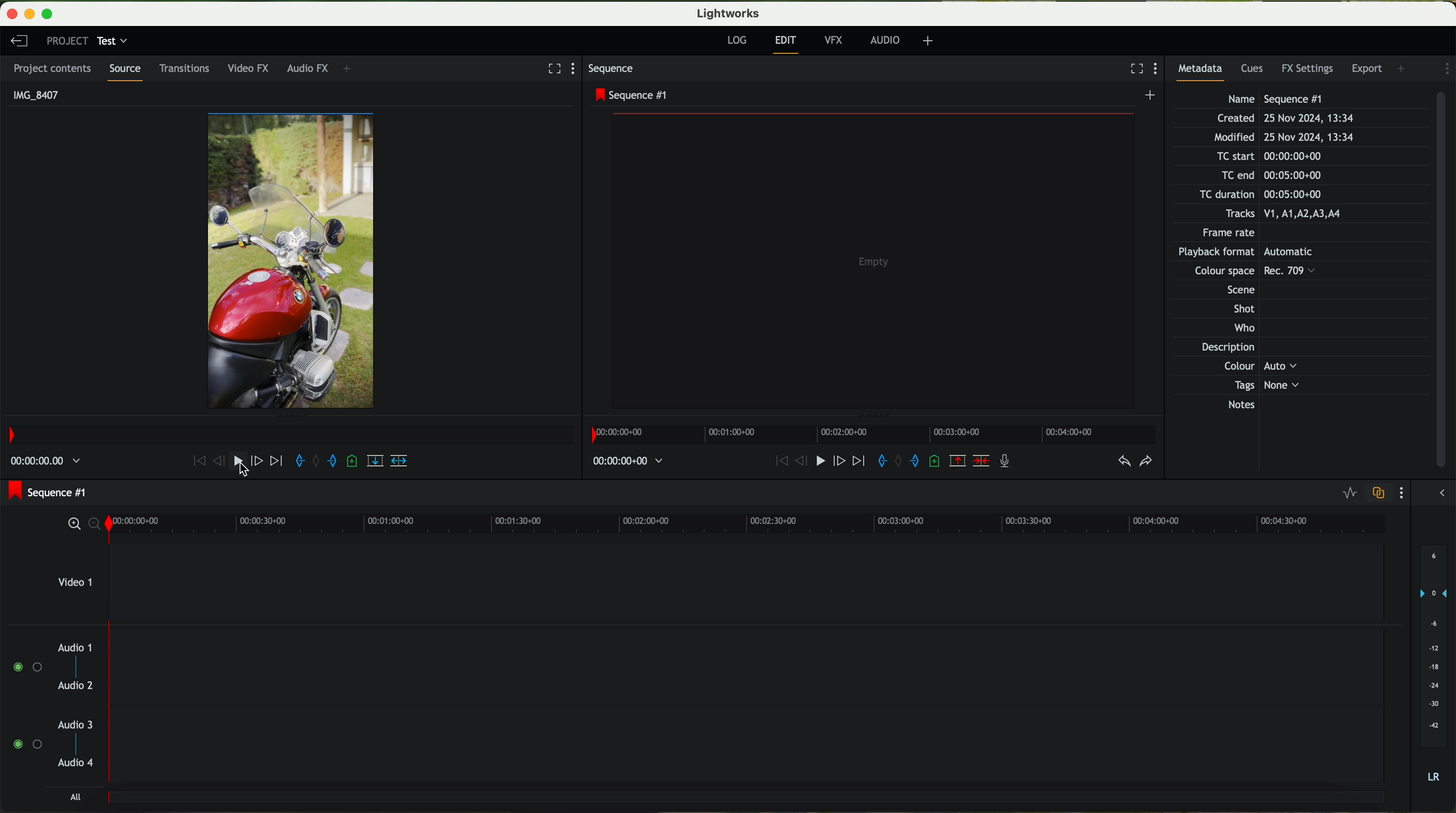 The height and width of the screenshot is (813, 1456). What do you see at coordinates (909, 461) in the screenshot?
I see `add an out mark` at bounding box center [909, 461].